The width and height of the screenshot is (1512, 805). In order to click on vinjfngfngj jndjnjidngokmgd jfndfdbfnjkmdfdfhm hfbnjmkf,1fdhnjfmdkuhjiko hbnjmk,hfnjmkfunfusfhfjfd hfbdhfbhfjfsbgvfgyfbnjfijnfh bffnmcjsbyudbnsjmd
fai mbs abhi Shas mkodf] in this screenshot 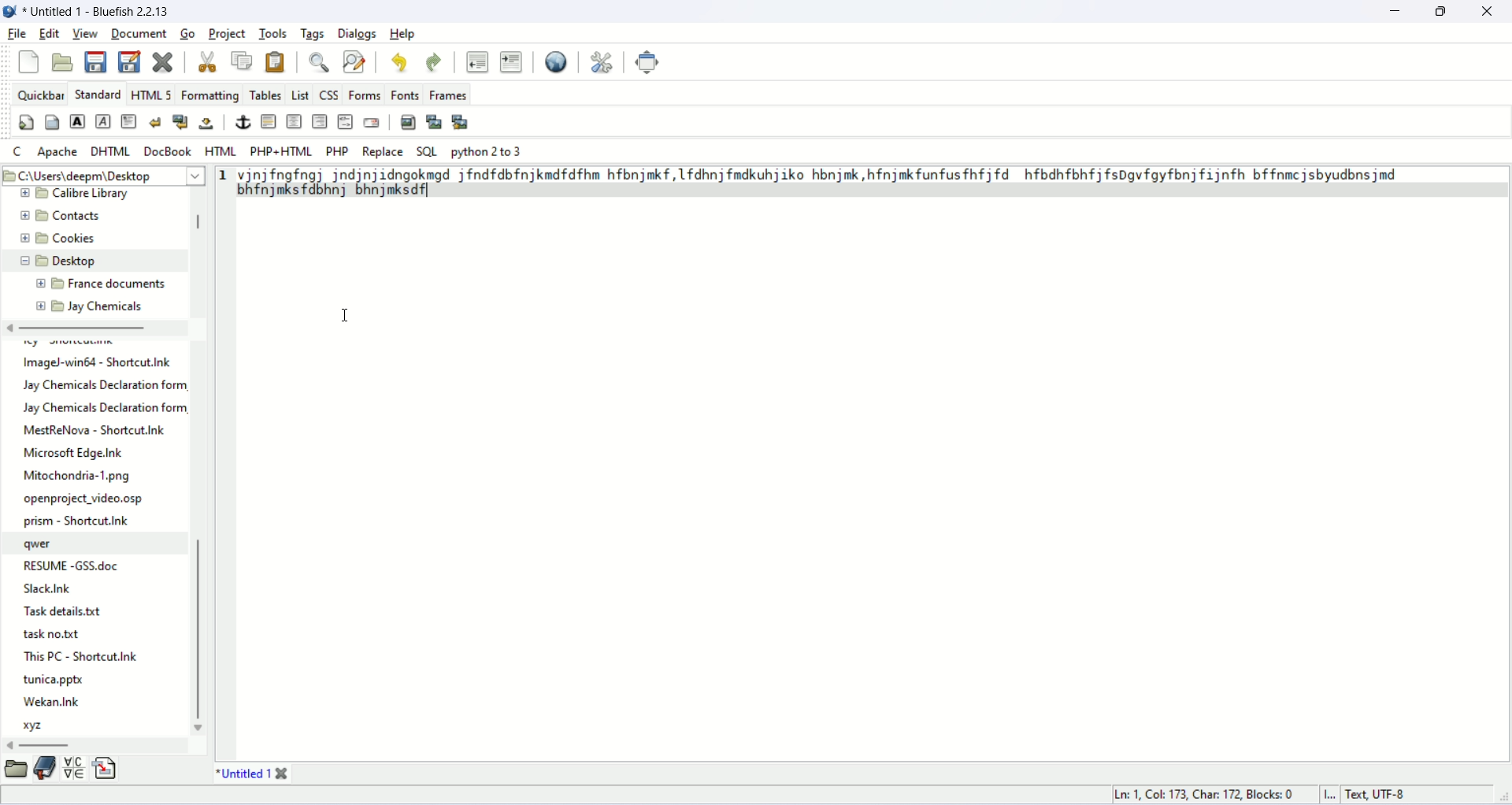, I will do `click(831, 182)`.